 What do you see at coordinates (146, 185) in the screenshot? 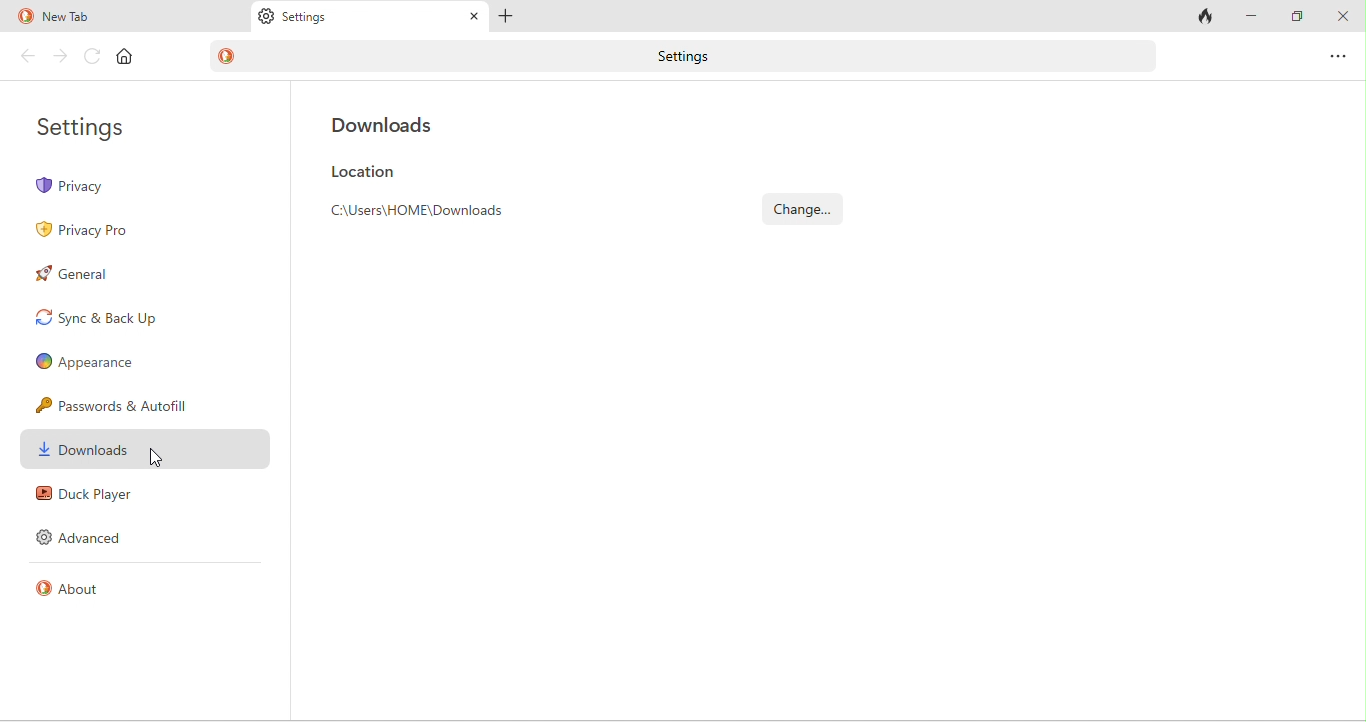
I see `privacy` at bounding box center [146, 185].